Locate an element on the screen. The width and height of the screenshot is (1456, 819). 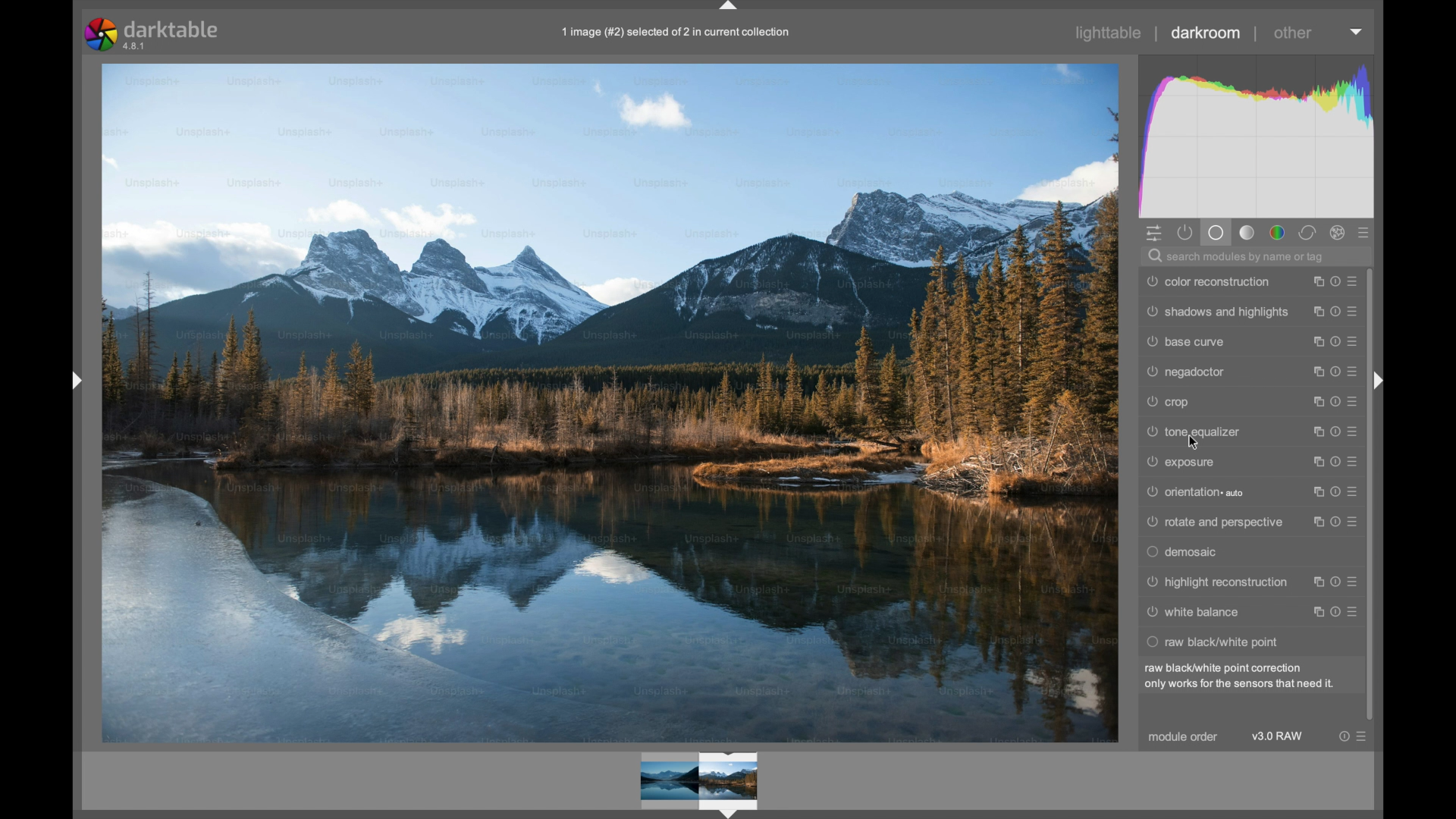
presets is located at coordinates (1356, 491).